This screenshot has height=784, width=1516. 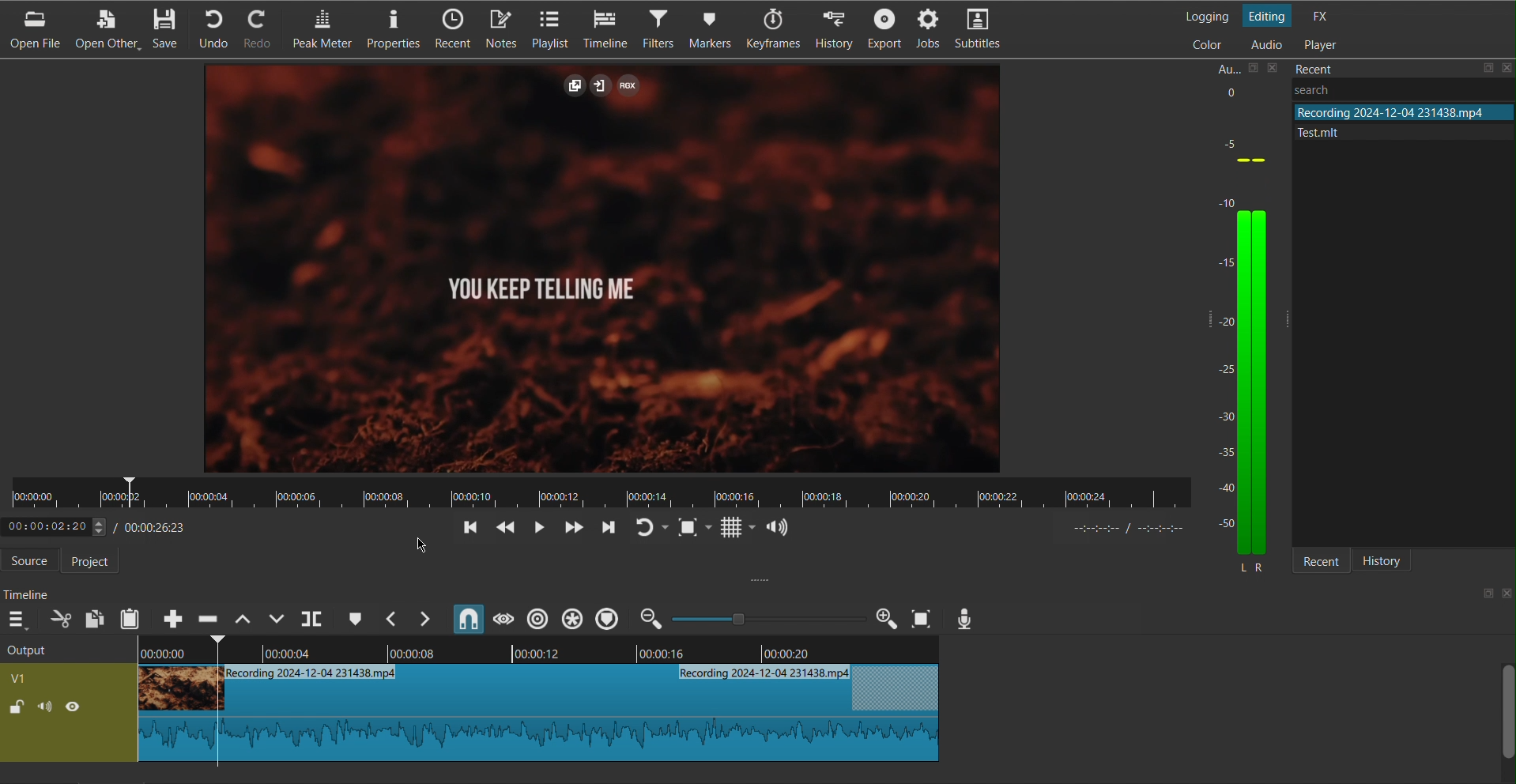 I want to click on Audio Levels, so click(x=1246, y=329).